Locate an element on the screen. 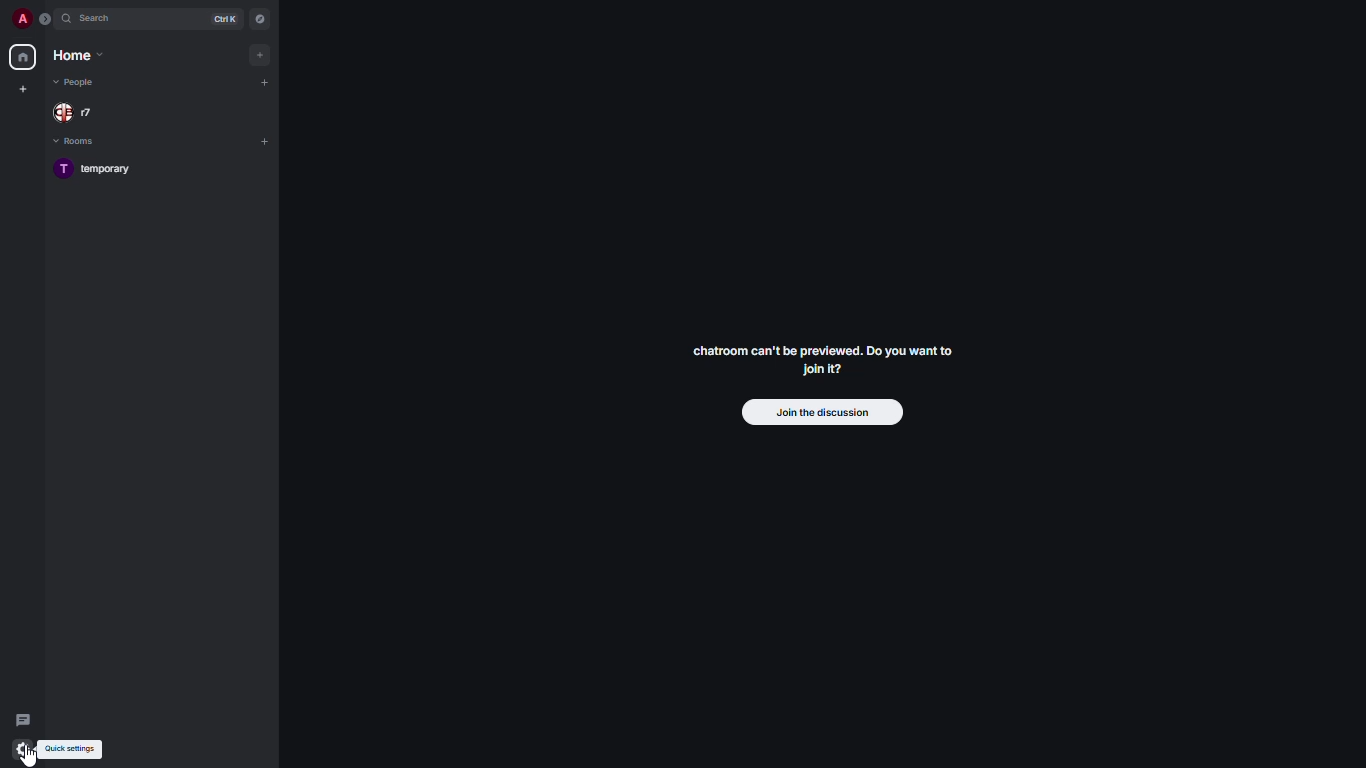 The height and width of the screenshot is (768, 1366). add is located at coordinates (266, 81).